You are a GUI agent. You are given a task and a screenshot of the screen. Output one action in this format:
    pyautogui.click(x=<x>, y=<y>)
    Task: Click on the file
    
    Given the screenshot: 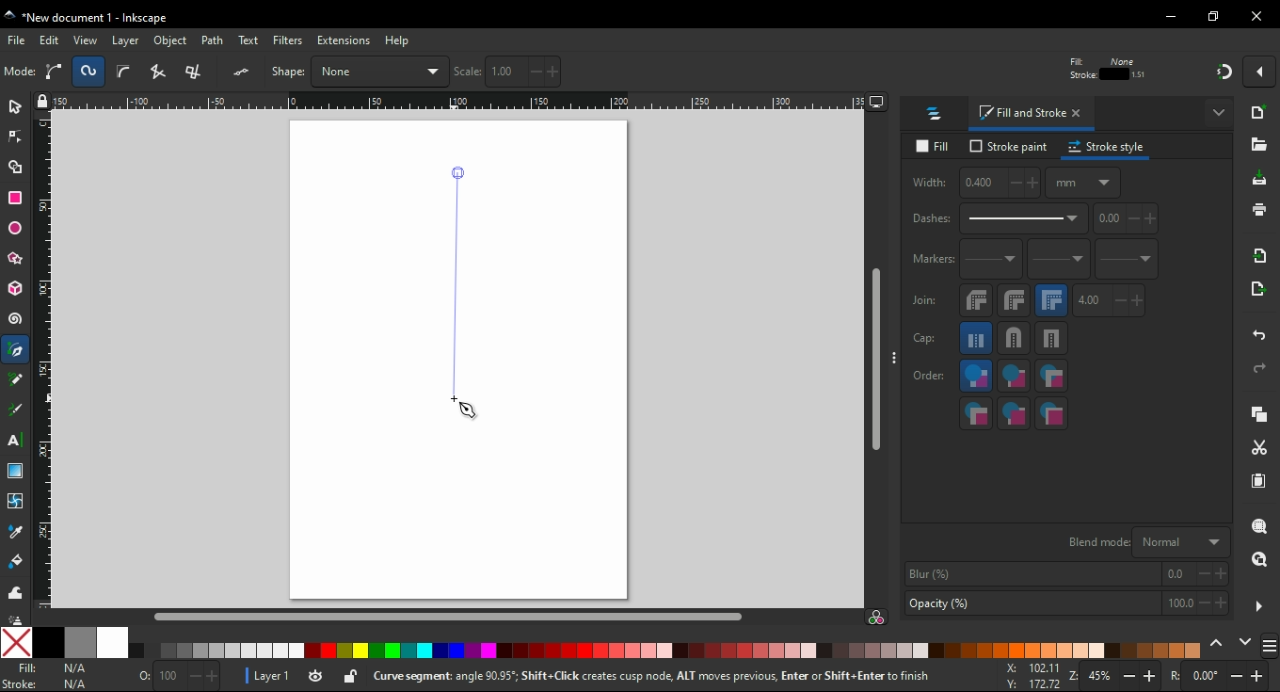 What is the action you would take?
    pyautogui.click(x=18, y=40)
    